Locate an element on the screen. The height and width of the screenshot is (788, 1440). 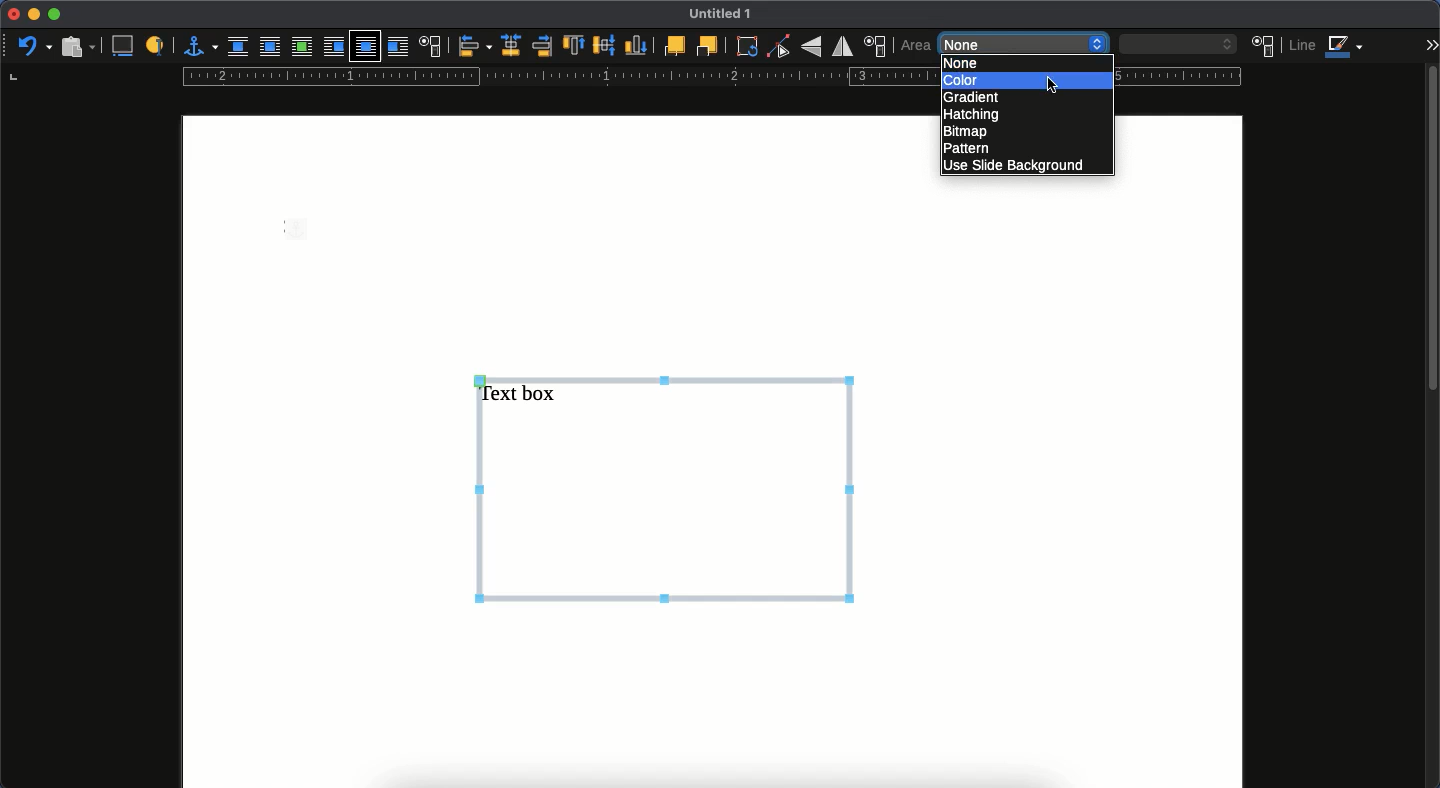
optimal is located at coordinates (301, 48).